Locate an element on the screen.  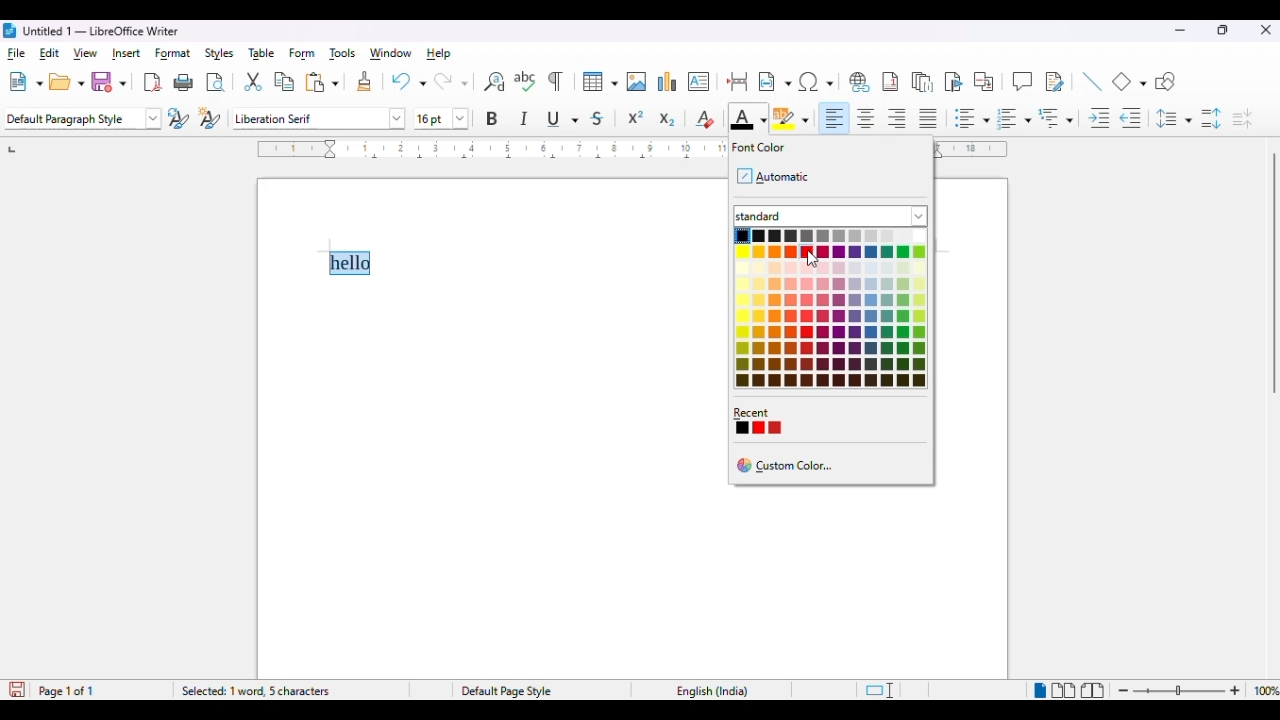
superscript is located at coordinates (636, 117).